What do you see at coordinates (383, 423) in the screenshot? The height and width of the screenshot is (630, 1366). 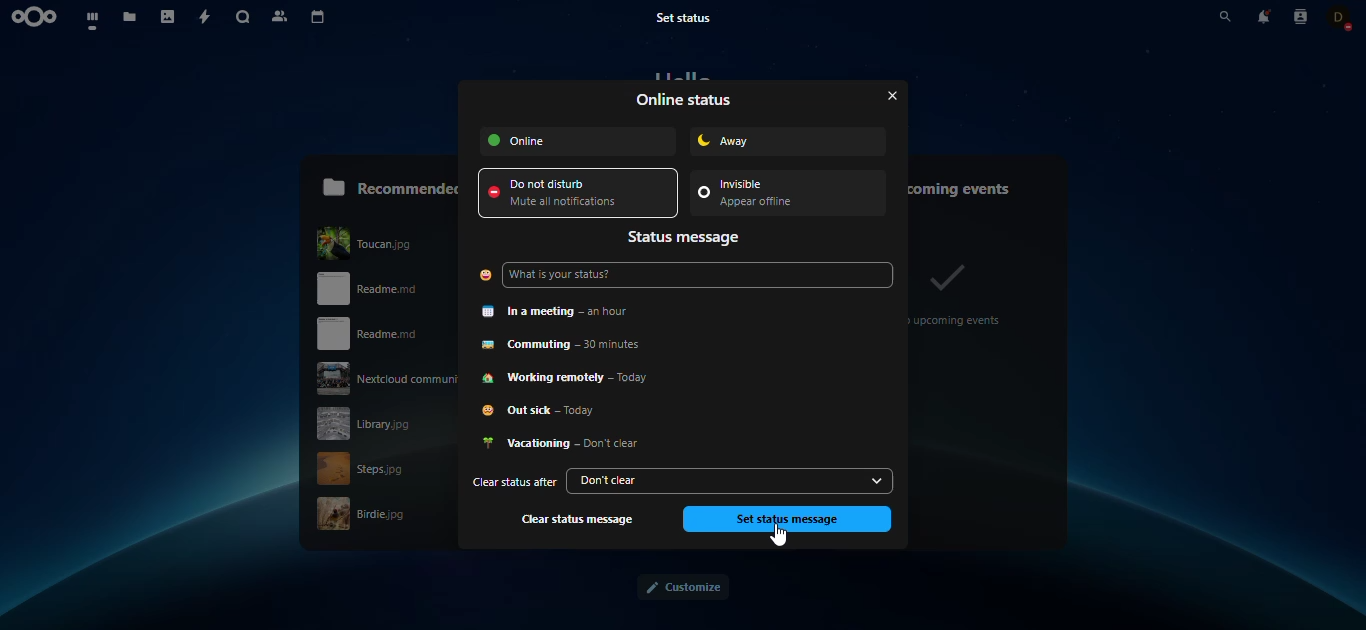 I see `library jpg ` at bounding box center [383, 423].